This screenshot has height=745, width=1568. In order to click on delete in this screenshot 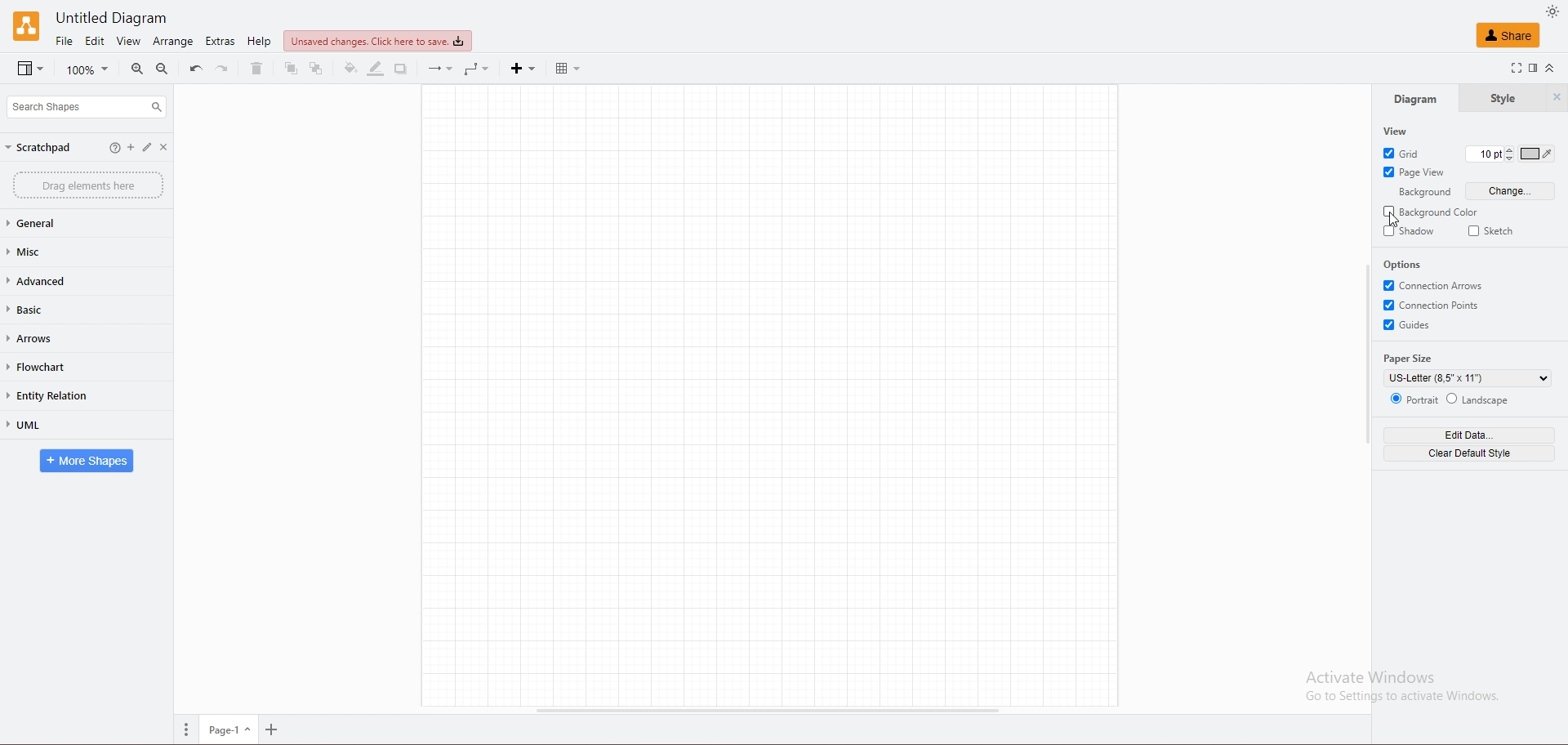, I will do `click(255, 69)`.